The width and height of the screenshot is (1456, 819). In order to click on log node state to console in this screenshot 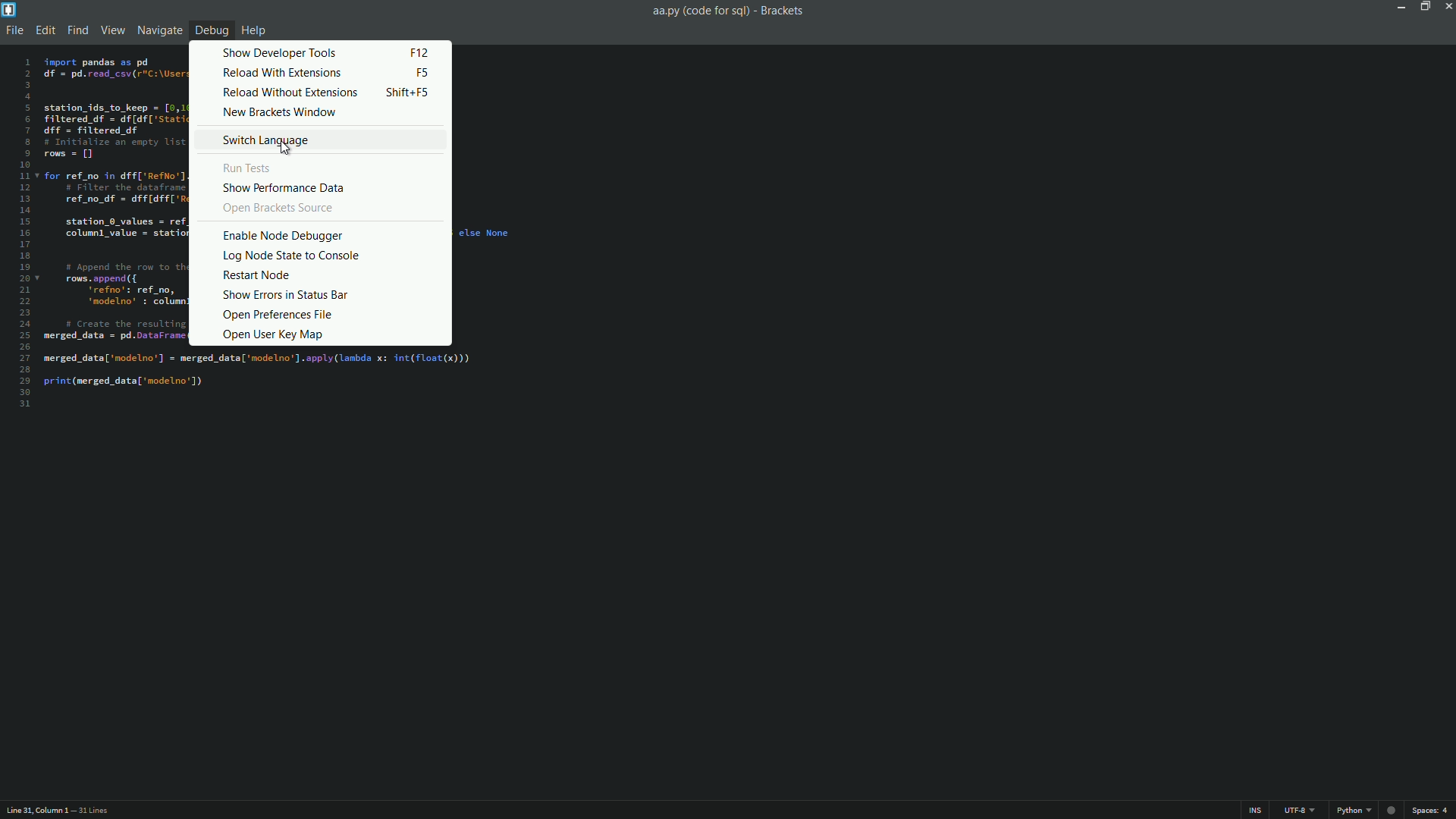, I will do `click(292, 256)`.